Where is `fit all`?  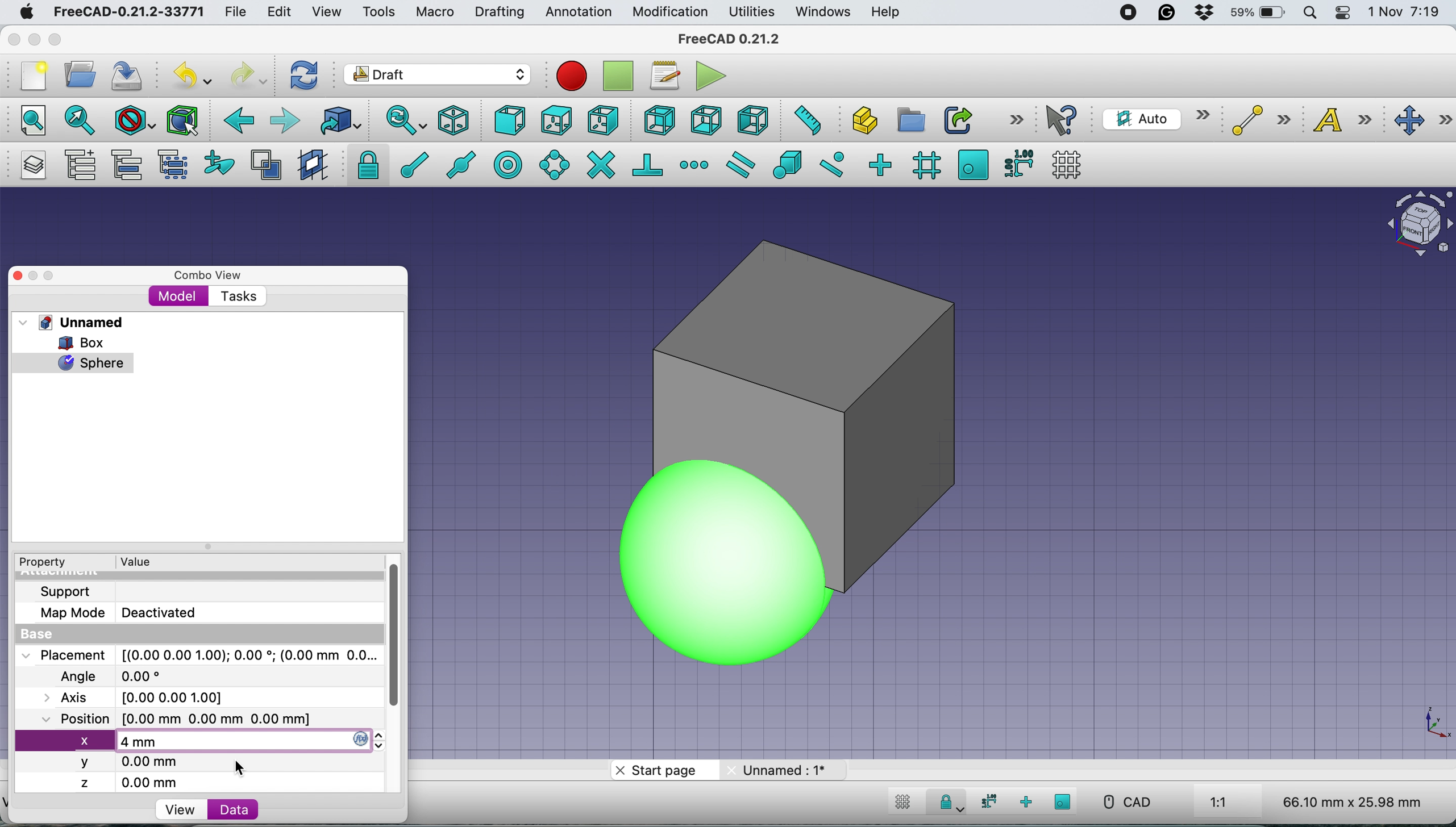
fit all is located at coordinates (27, 119).